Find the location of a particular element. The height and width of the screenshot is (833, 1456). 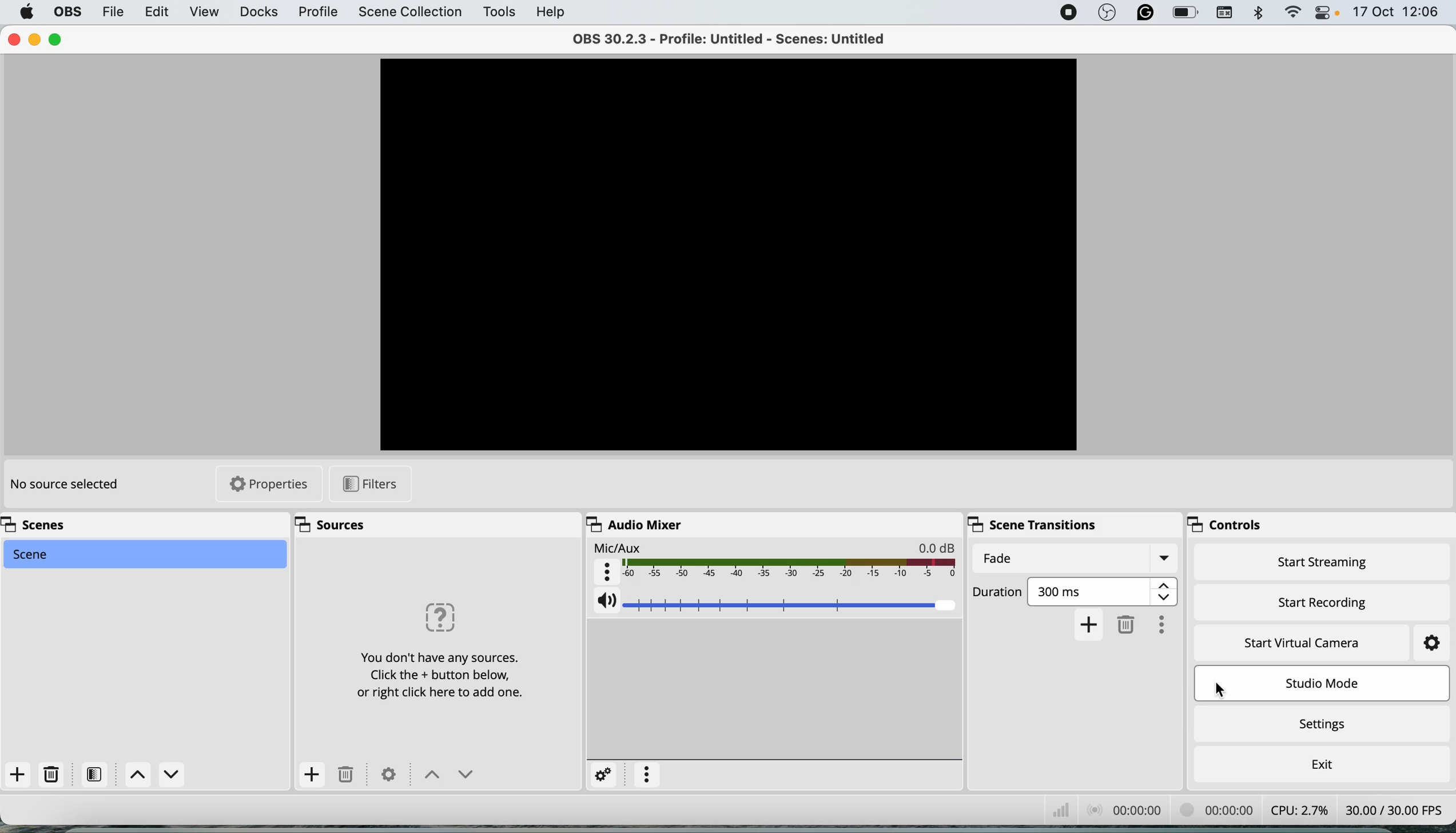

add sources is located at coordinates (312, 774).